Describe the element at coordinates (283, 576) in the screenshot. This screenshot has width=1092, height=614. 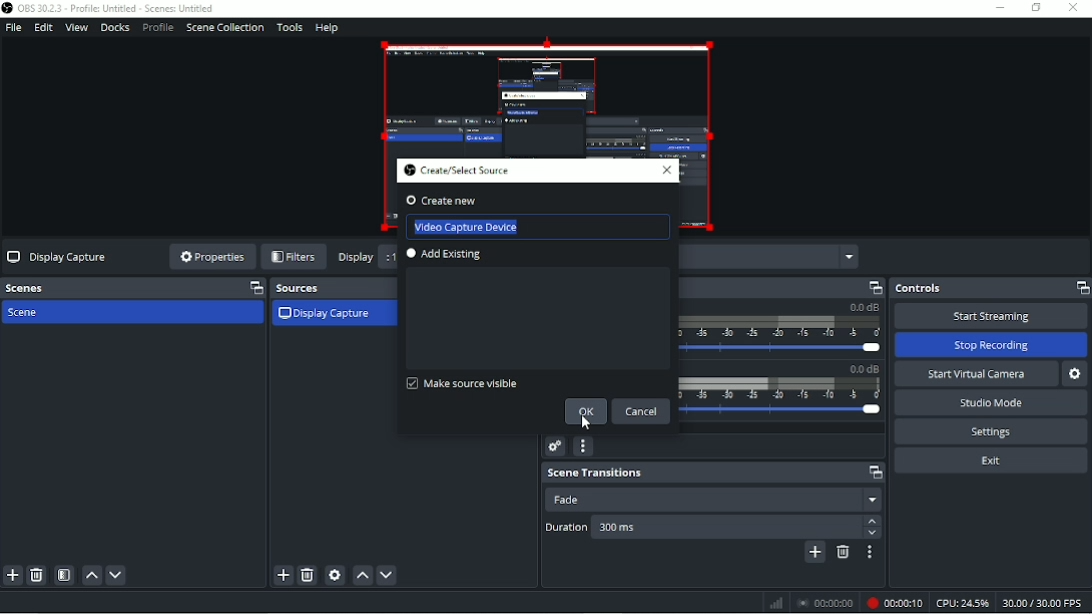
I see `Add source` at that location.